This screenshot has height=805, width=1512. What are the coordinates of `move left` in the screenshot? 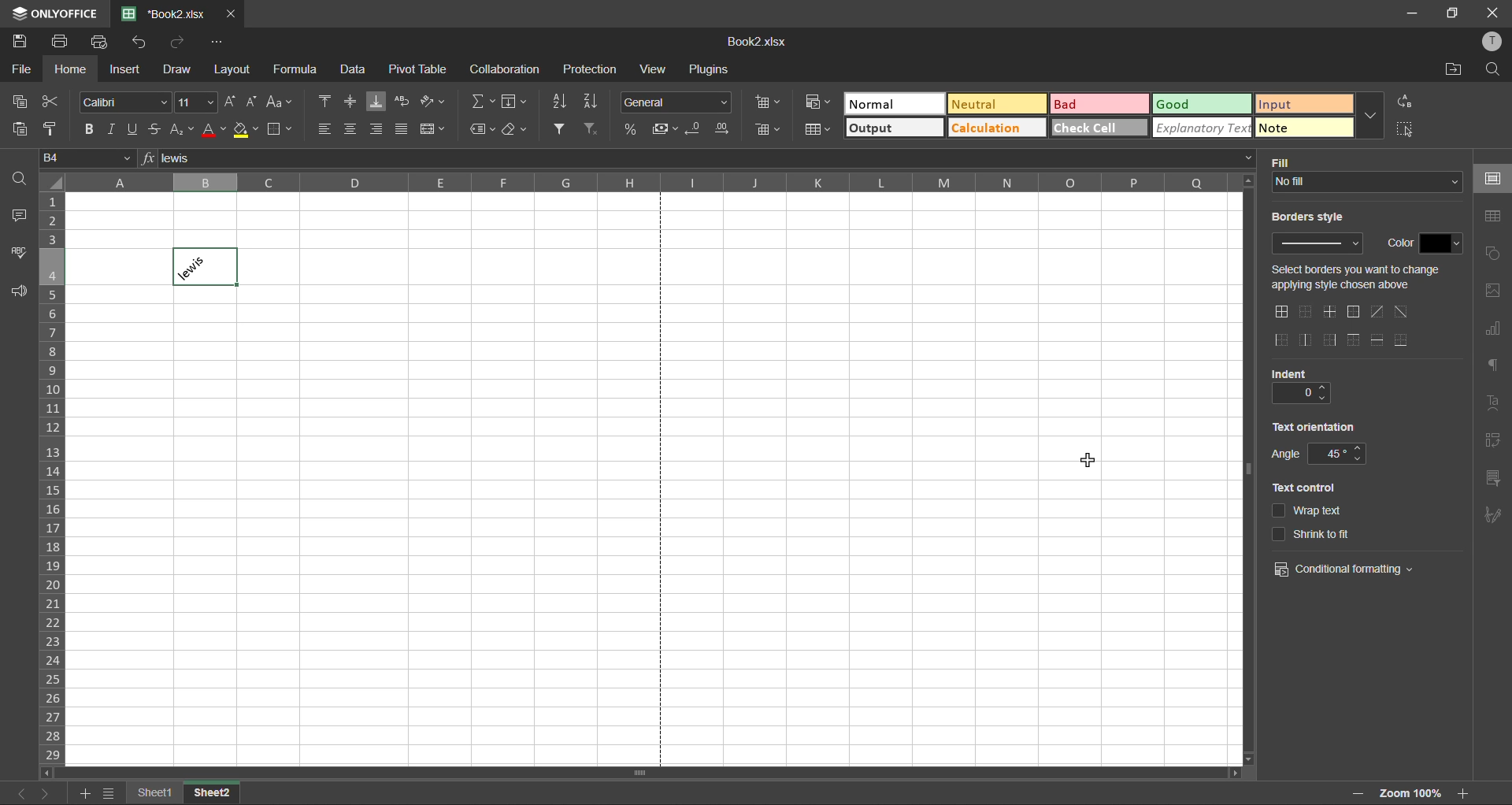 It's located at (46, 774).